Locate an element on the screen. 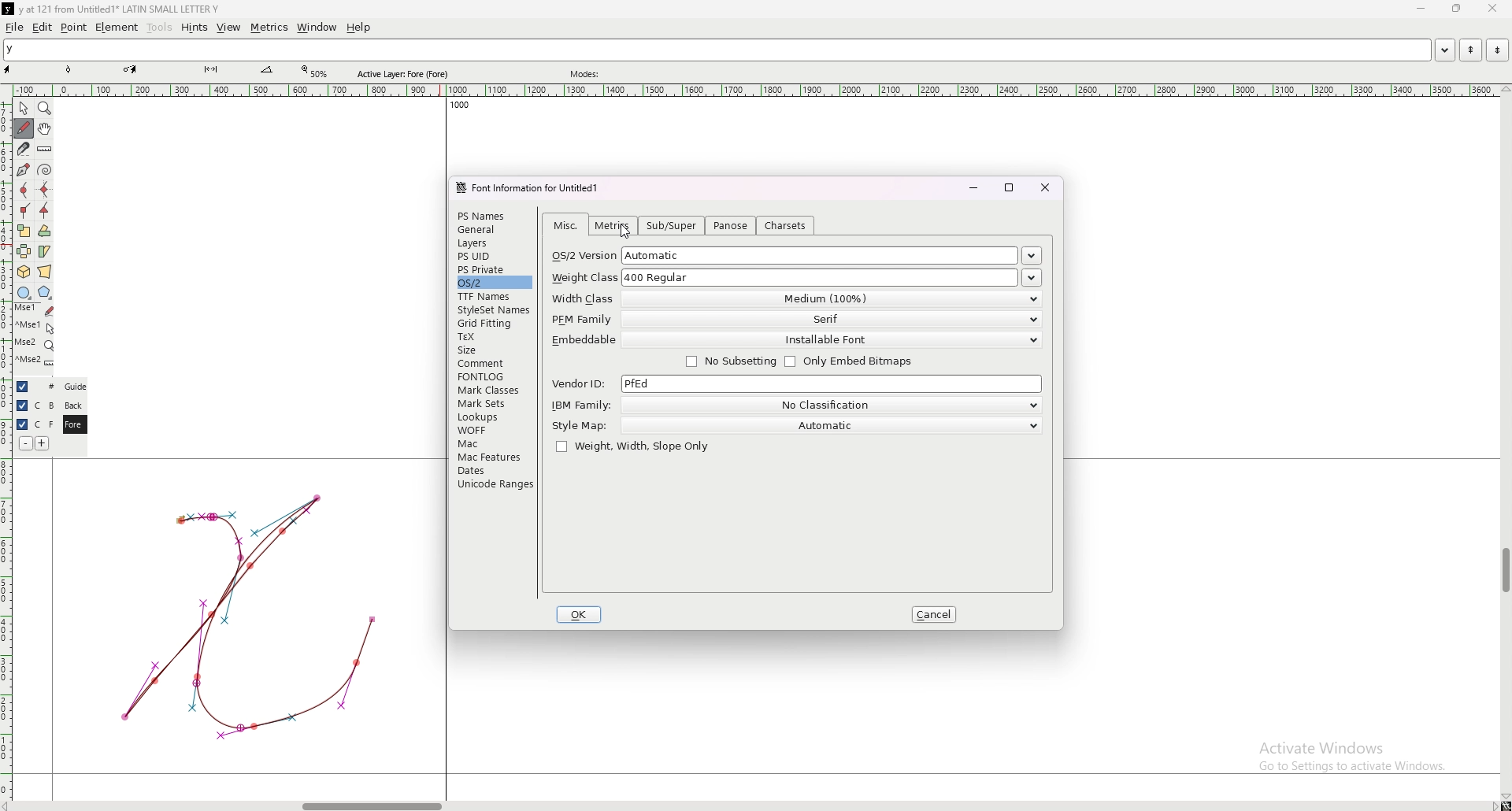 The height and width of the screenshot is (811, 1512). rotate the selection is located at coordinates (45, 231).